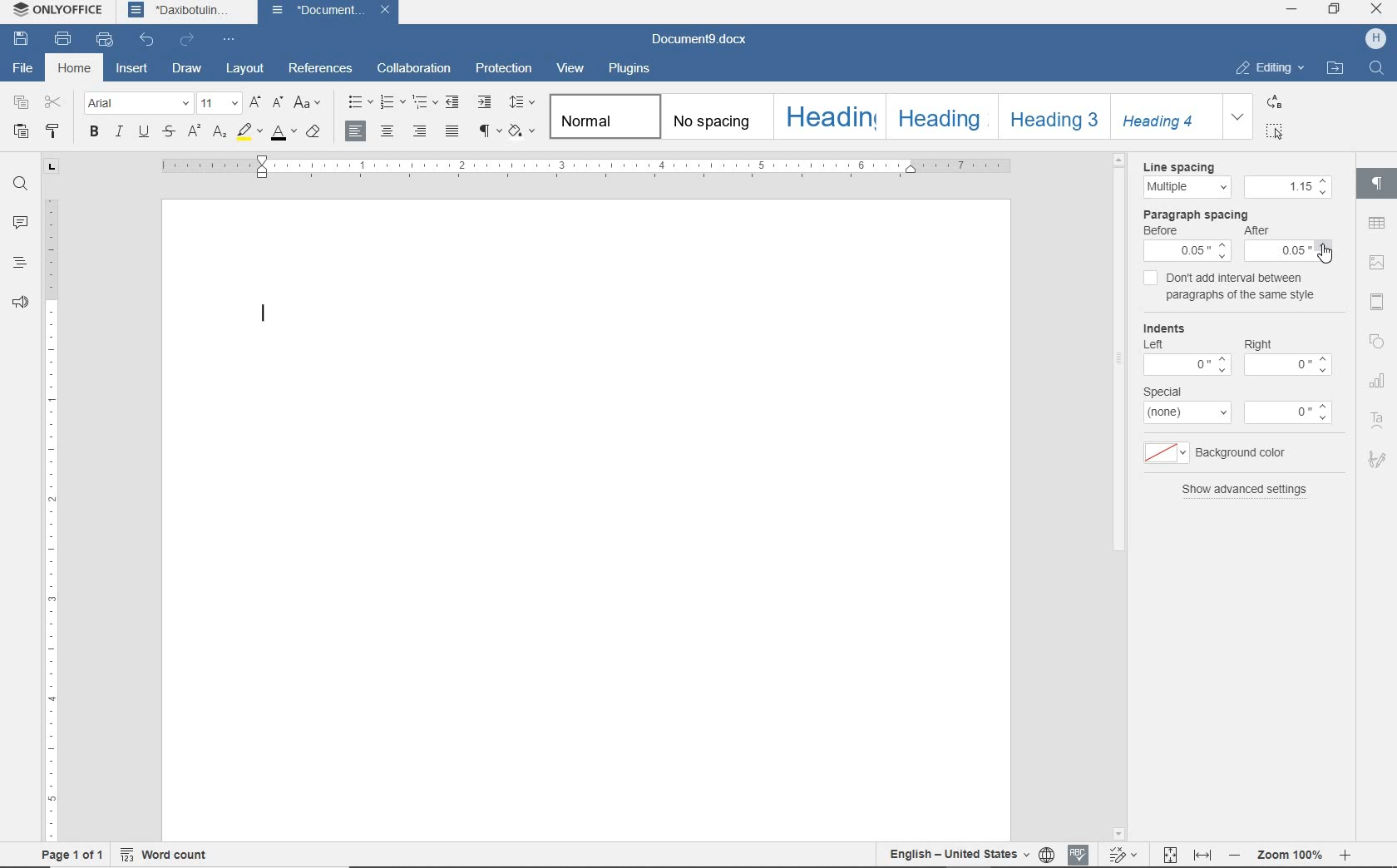 Image resolution: width=1397 pixels, height=868 pixels. Describe the element at coordinates (427, 104) in the screenshot. I see `multilevel list` at that location.